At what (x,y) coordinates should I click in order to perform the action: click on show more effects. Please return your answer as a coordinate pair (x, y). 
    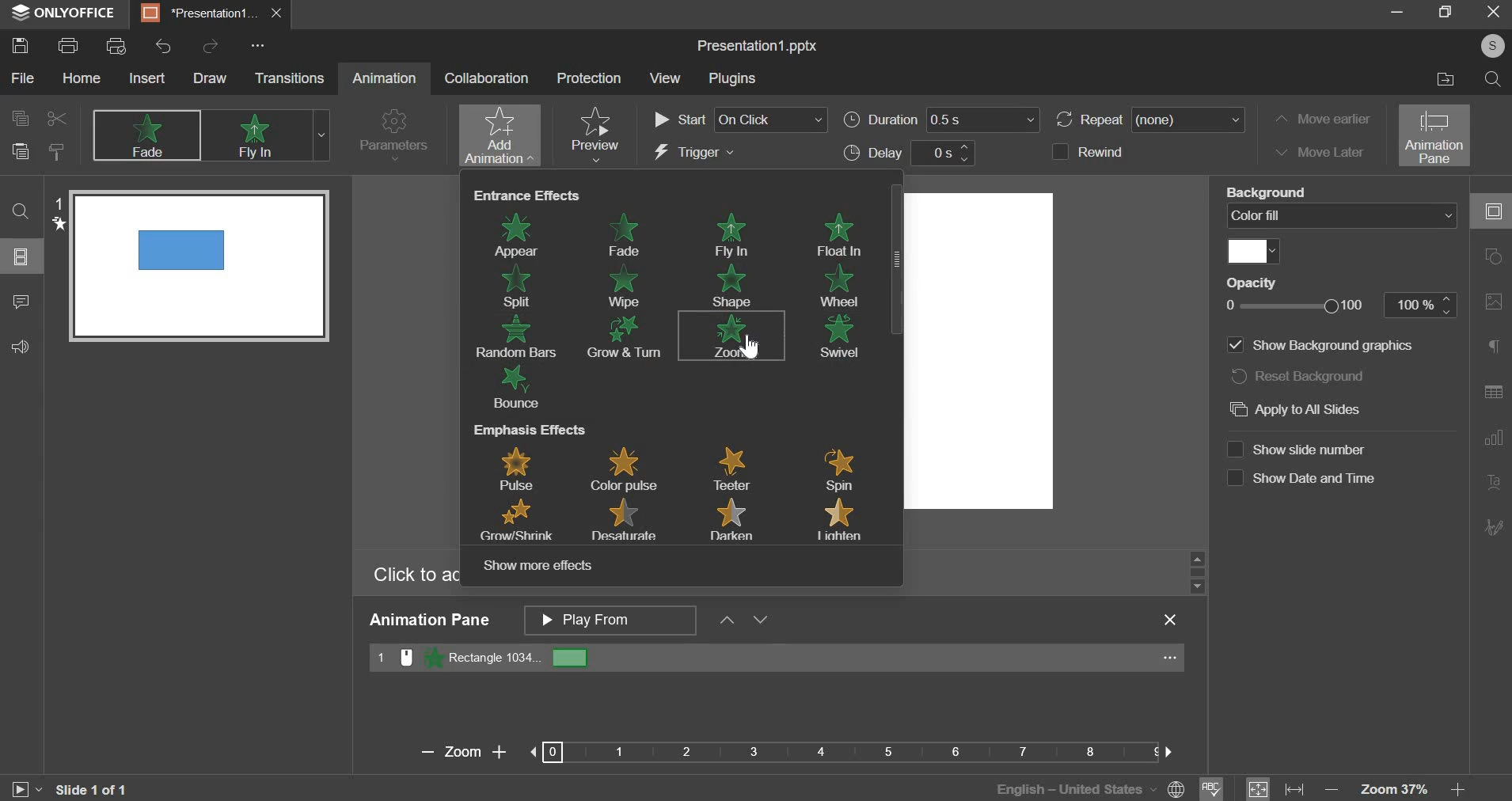
    Looking at the image, I should click on (676, 562).